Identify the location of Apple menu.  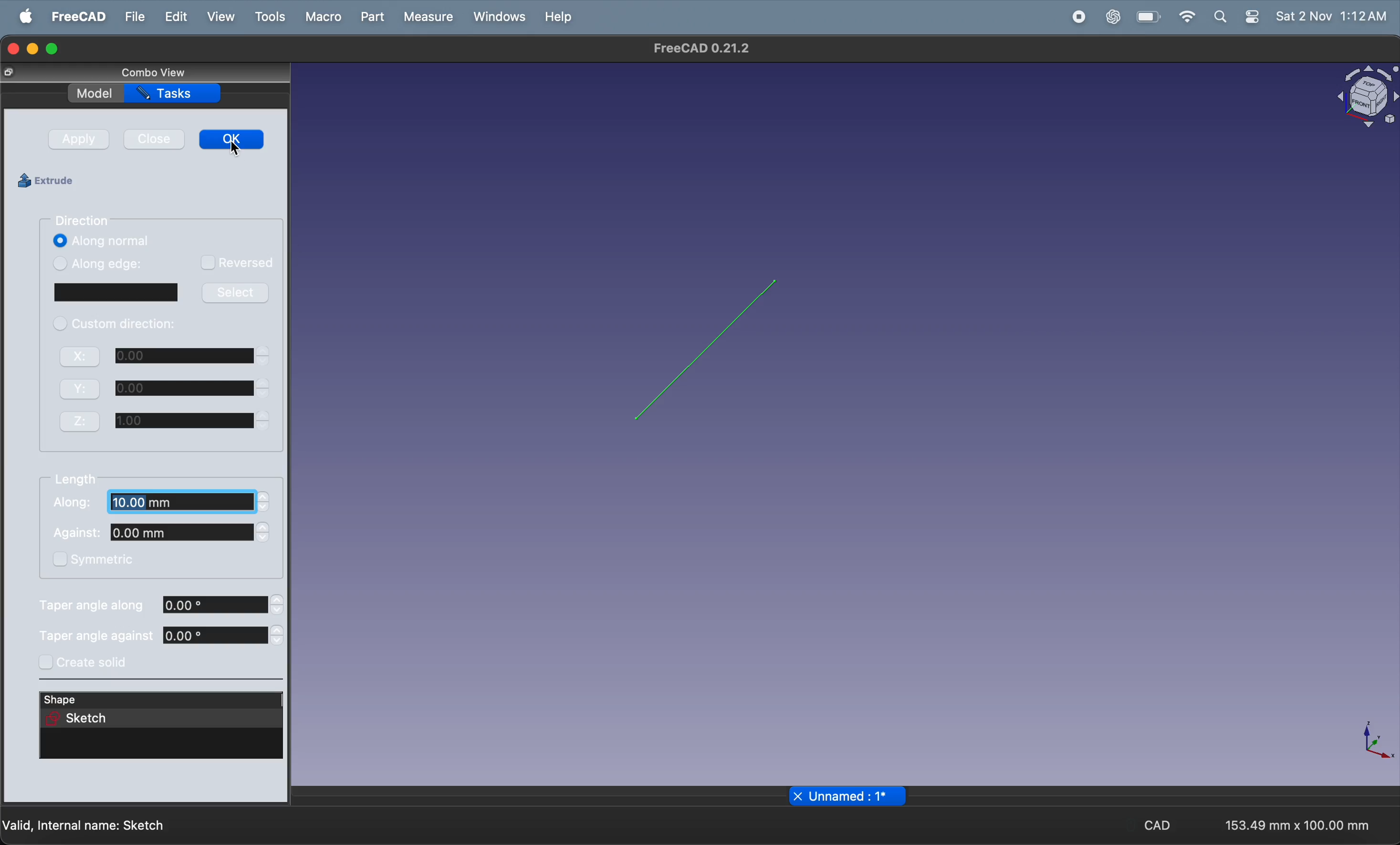
(22, 16).